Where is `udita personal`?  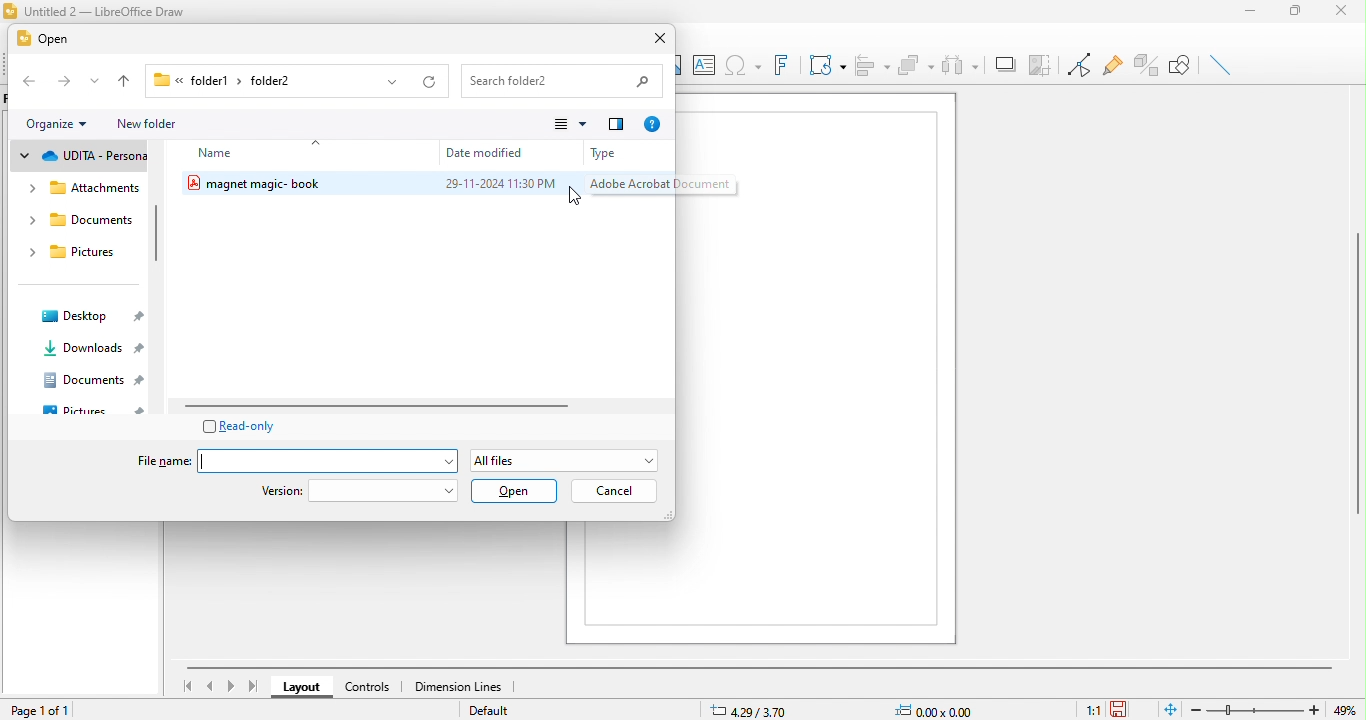 udita personal is located at coordinates (80, 157).